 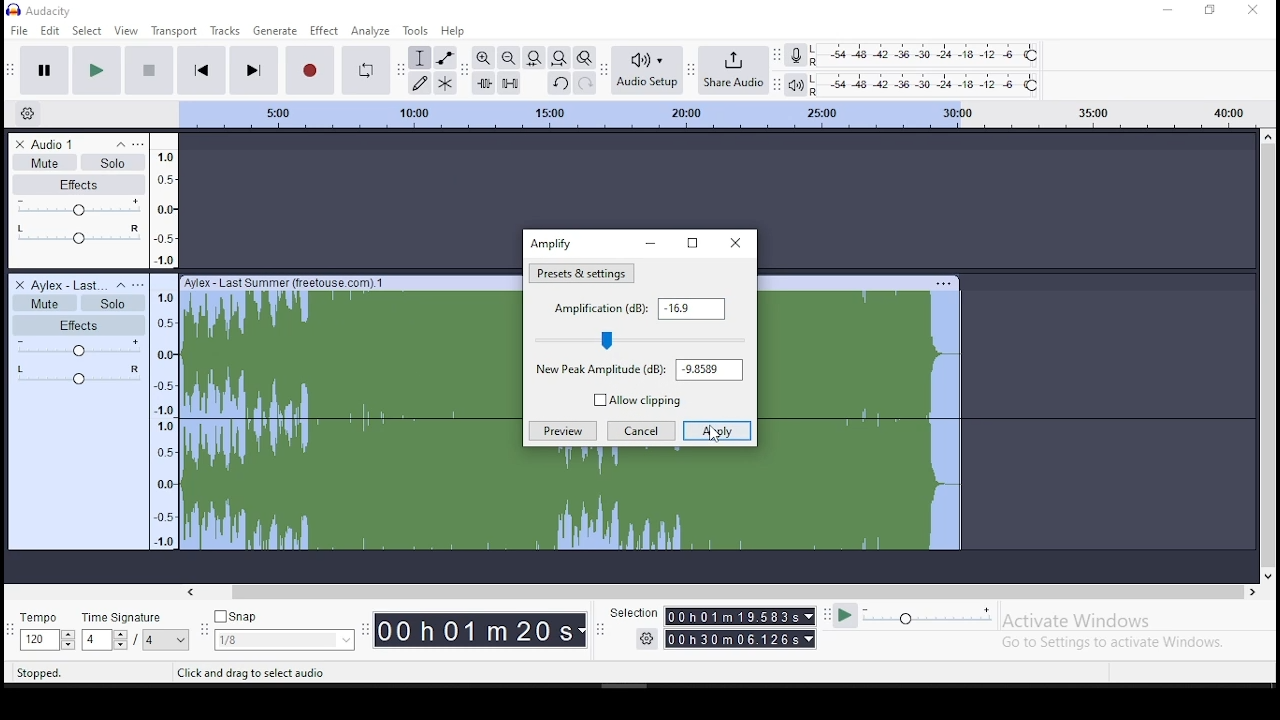 What do you see at coordinates (453, 31) in the screenshot?
I see `help` at bounding box center [453, 31].